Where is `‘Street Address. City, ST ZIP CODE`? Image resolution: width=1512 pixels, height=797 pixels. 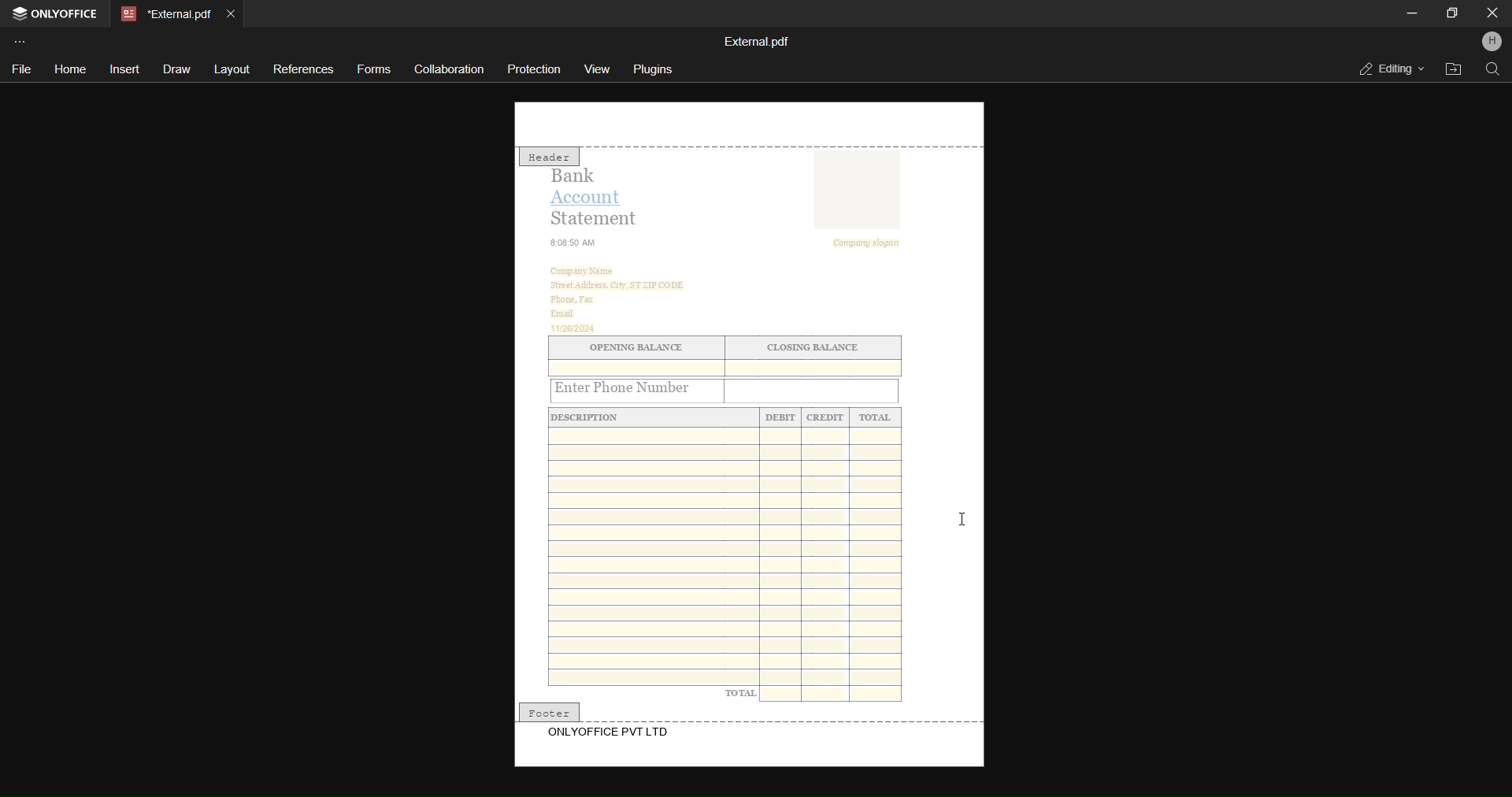 ‘Street Address. City, ST ZIP CODE is located at coordinates (617, 285).